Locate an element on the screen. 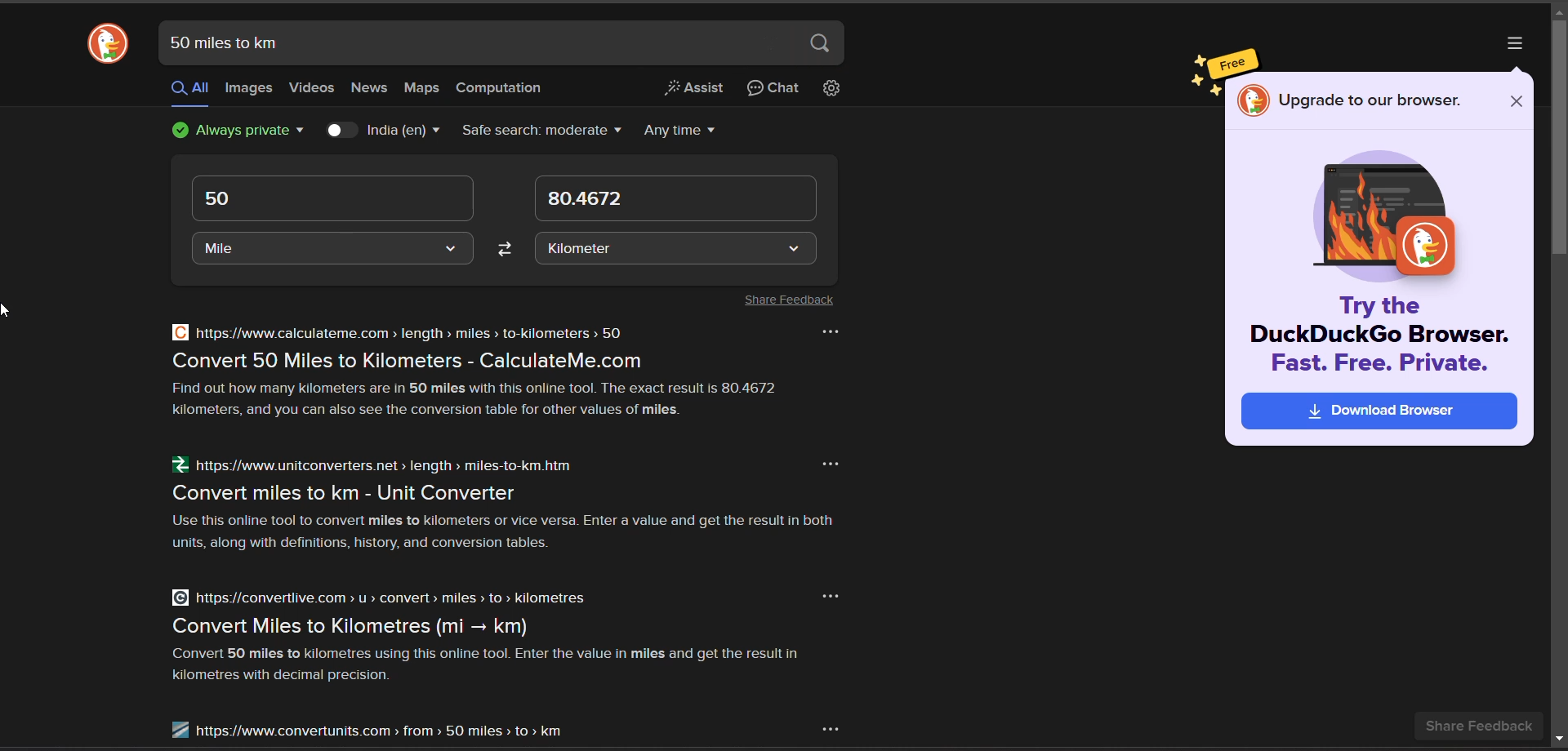  Convert Miles to Kilometres (mi — km)
Convert 50 miles to kilometres using this online tool. Enter the value in miles and get the result in
kilometres with decimal precision is located at coordinates (493, 651).